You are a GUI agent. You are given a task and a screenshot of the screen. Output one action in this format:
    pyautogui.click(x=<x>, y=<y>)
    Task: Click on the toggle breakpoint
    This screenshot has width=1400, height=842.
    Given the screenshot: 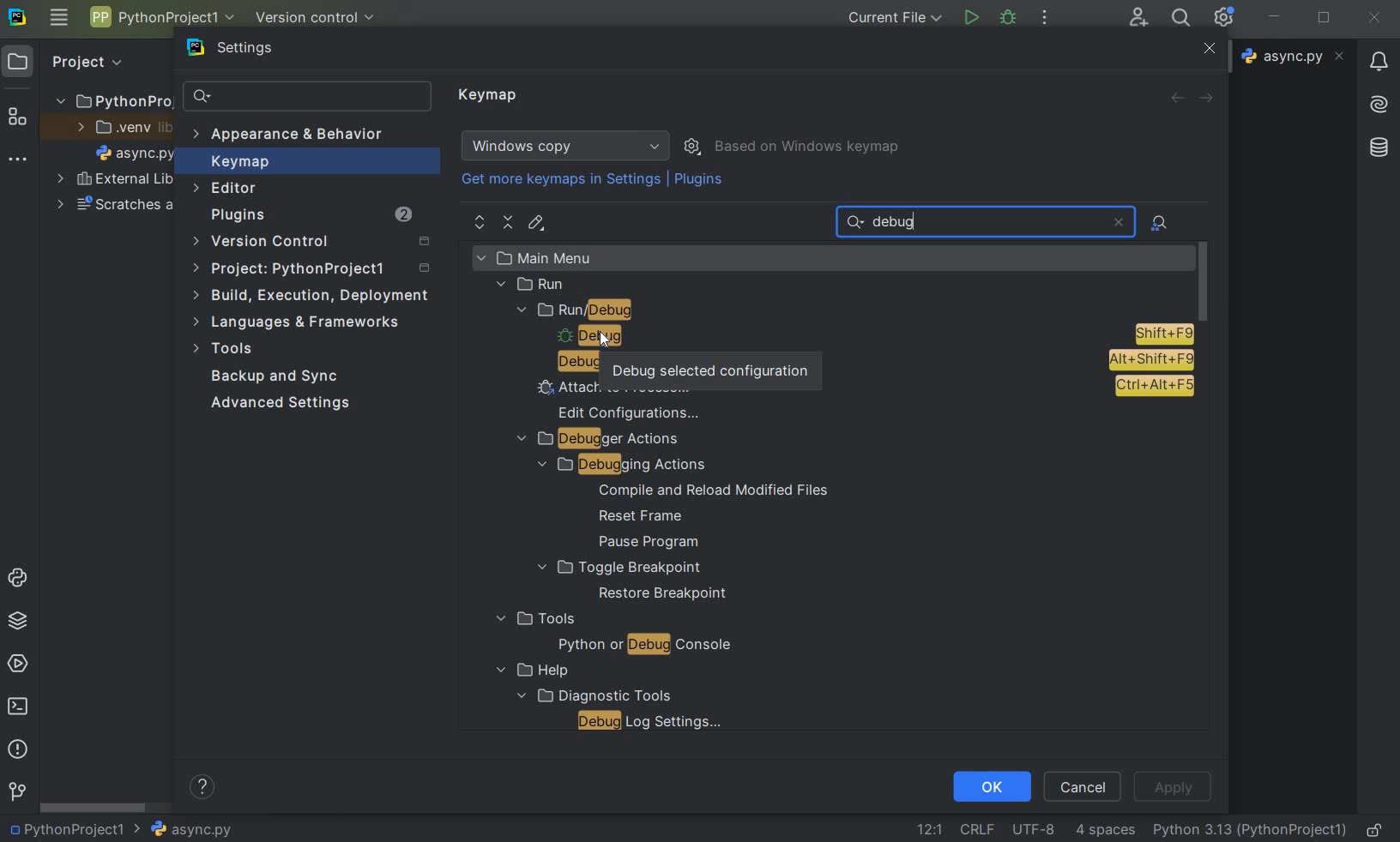 What is the action you would take?
    pyautogui.click(x=619, y=568)
    